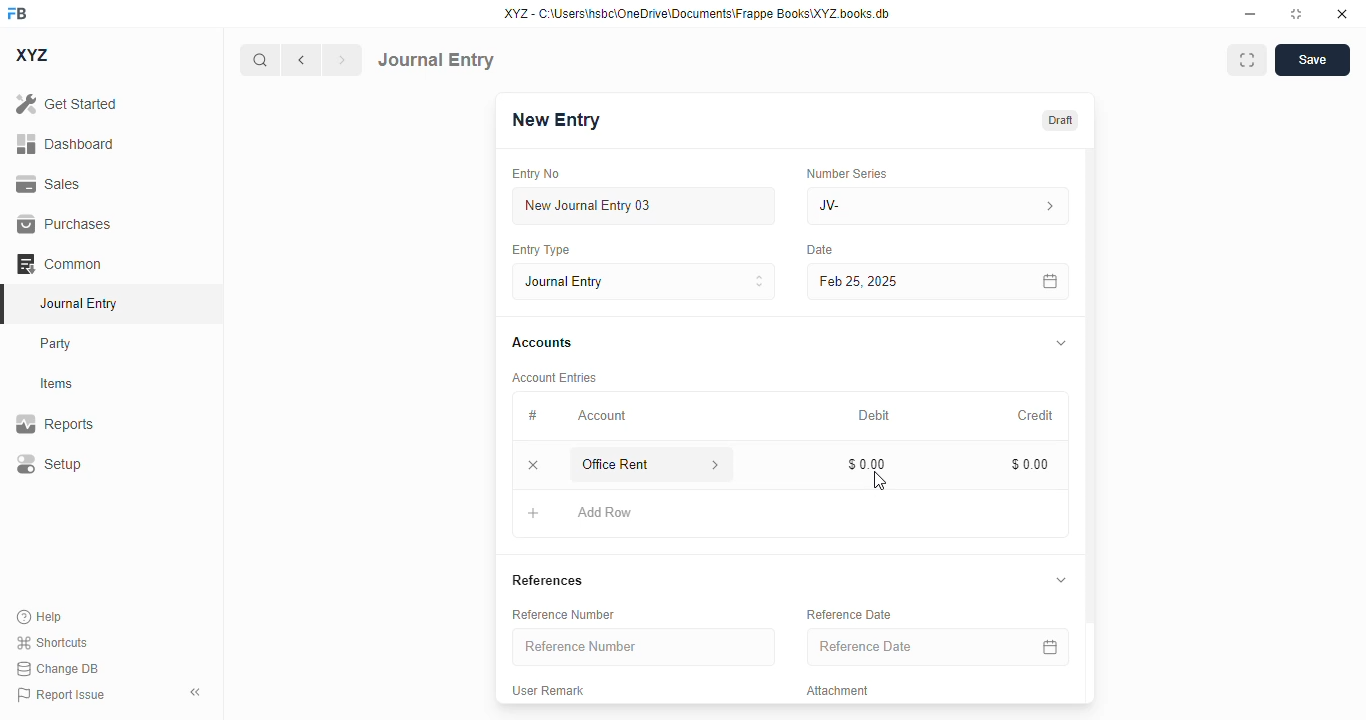  What do you see at coordinates (1313, 60) in the screenshot?
I see `save` at bounding box center [1313, 60].